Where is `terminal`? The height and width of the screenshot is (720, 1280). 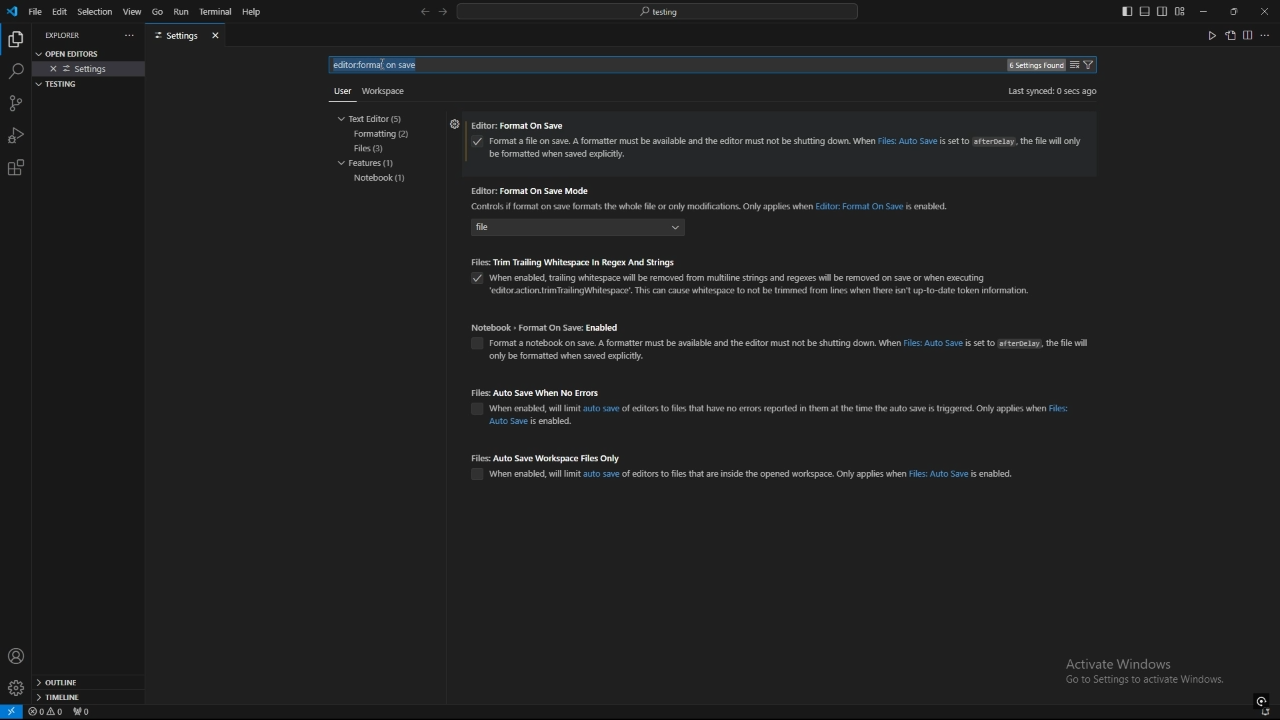 terminal is located at coordinates (216, 13).